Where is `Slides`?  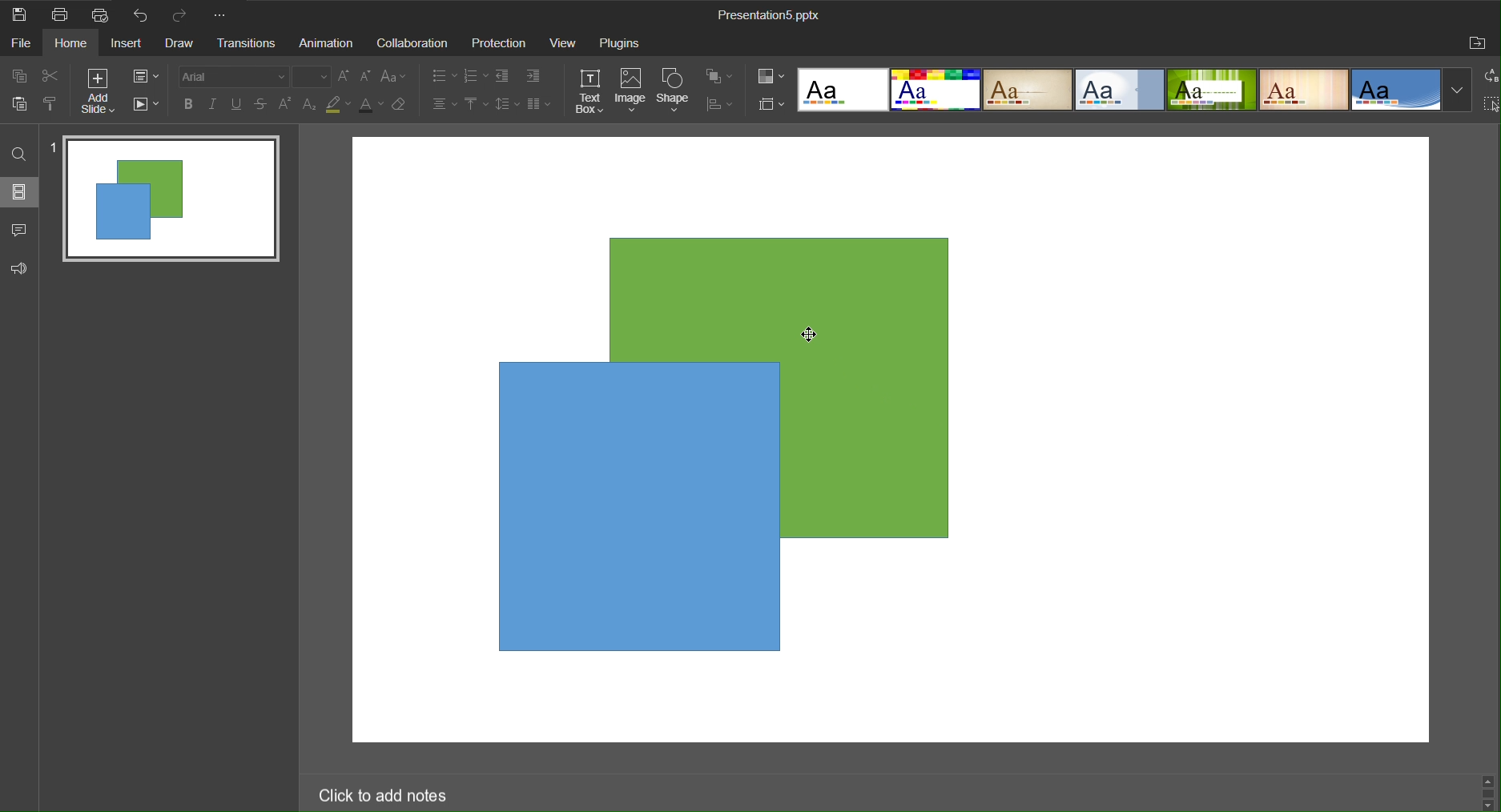
Slides is located at coordinates (22, 193).